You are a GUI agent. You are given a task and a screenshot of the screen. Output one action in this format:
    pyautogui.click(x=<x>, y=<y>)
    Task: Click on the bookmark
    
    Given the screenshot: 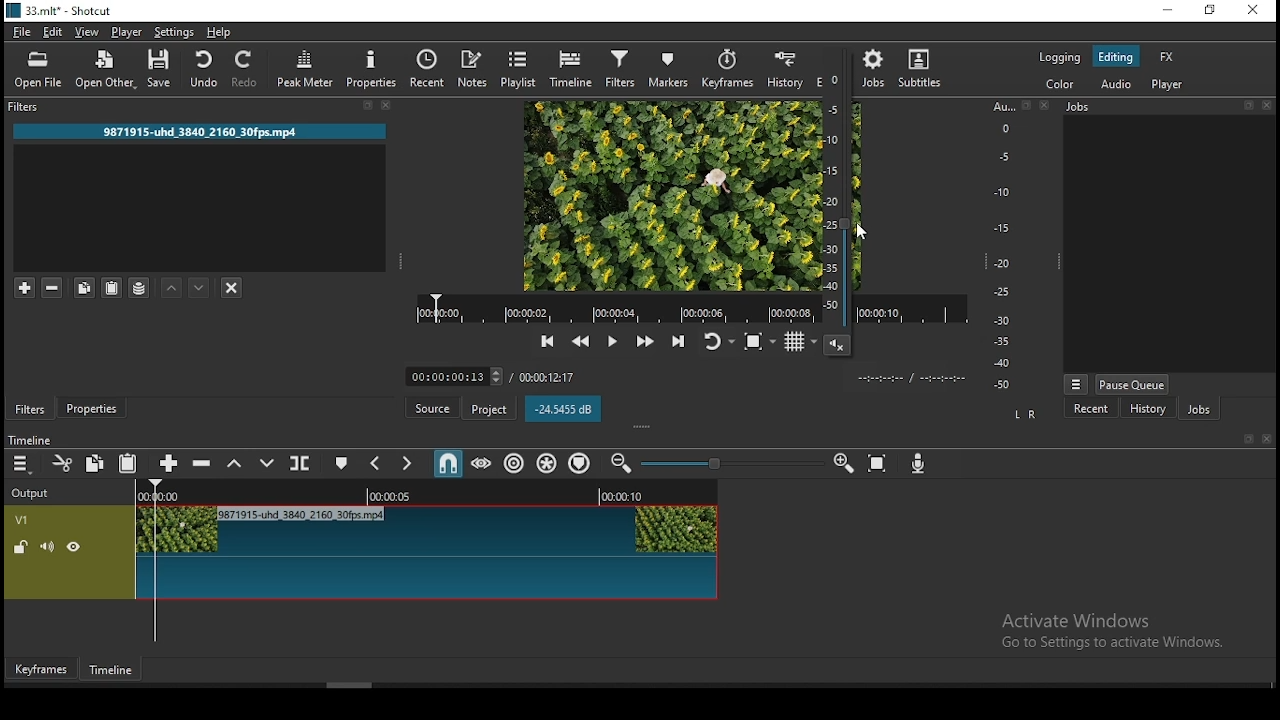 What is the action you would take?
    pyautogui.click(x=1245, y=439)
    